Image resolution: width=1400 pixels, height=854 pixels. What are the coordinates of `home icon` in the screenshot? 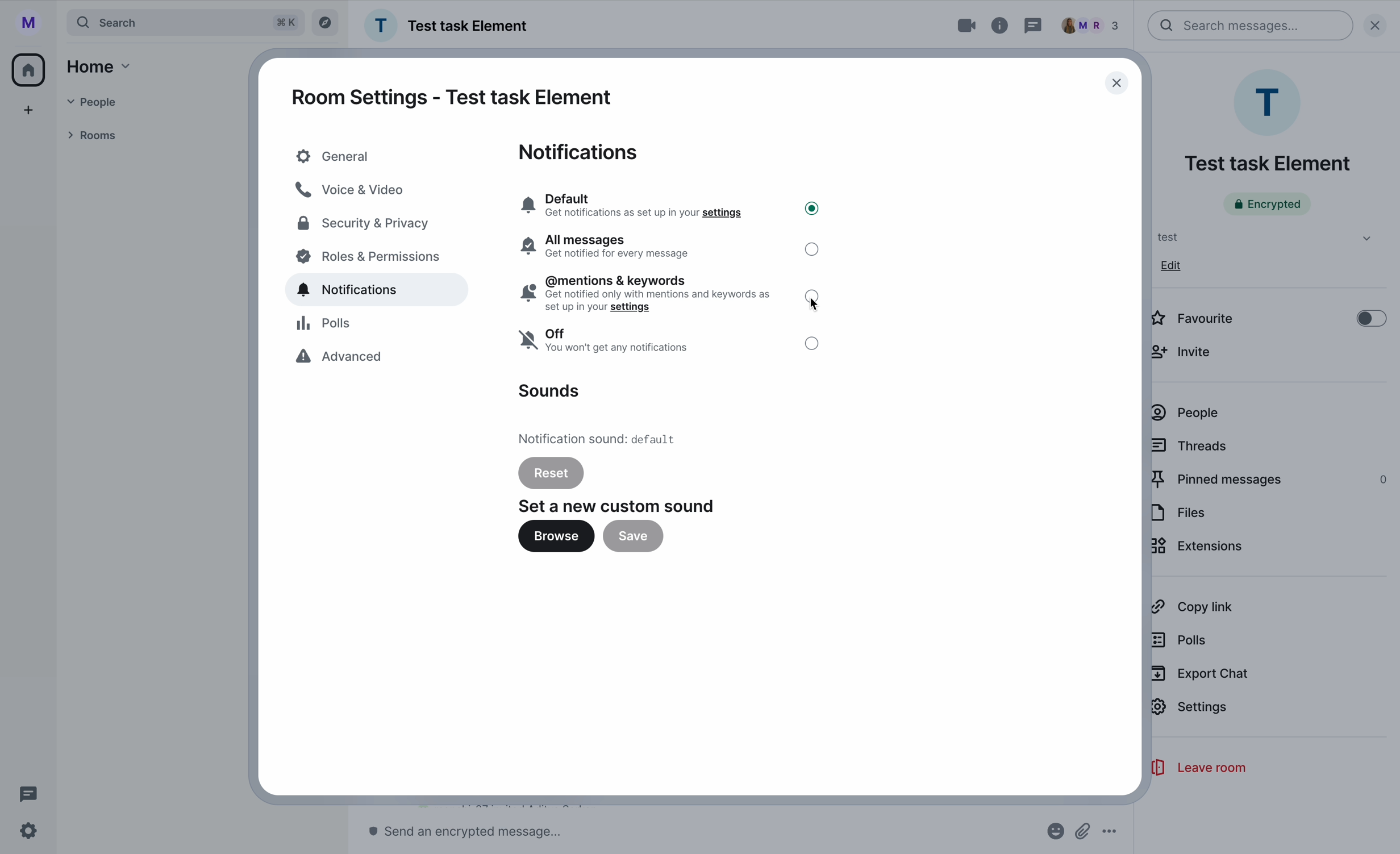 It's located at (31, 68).